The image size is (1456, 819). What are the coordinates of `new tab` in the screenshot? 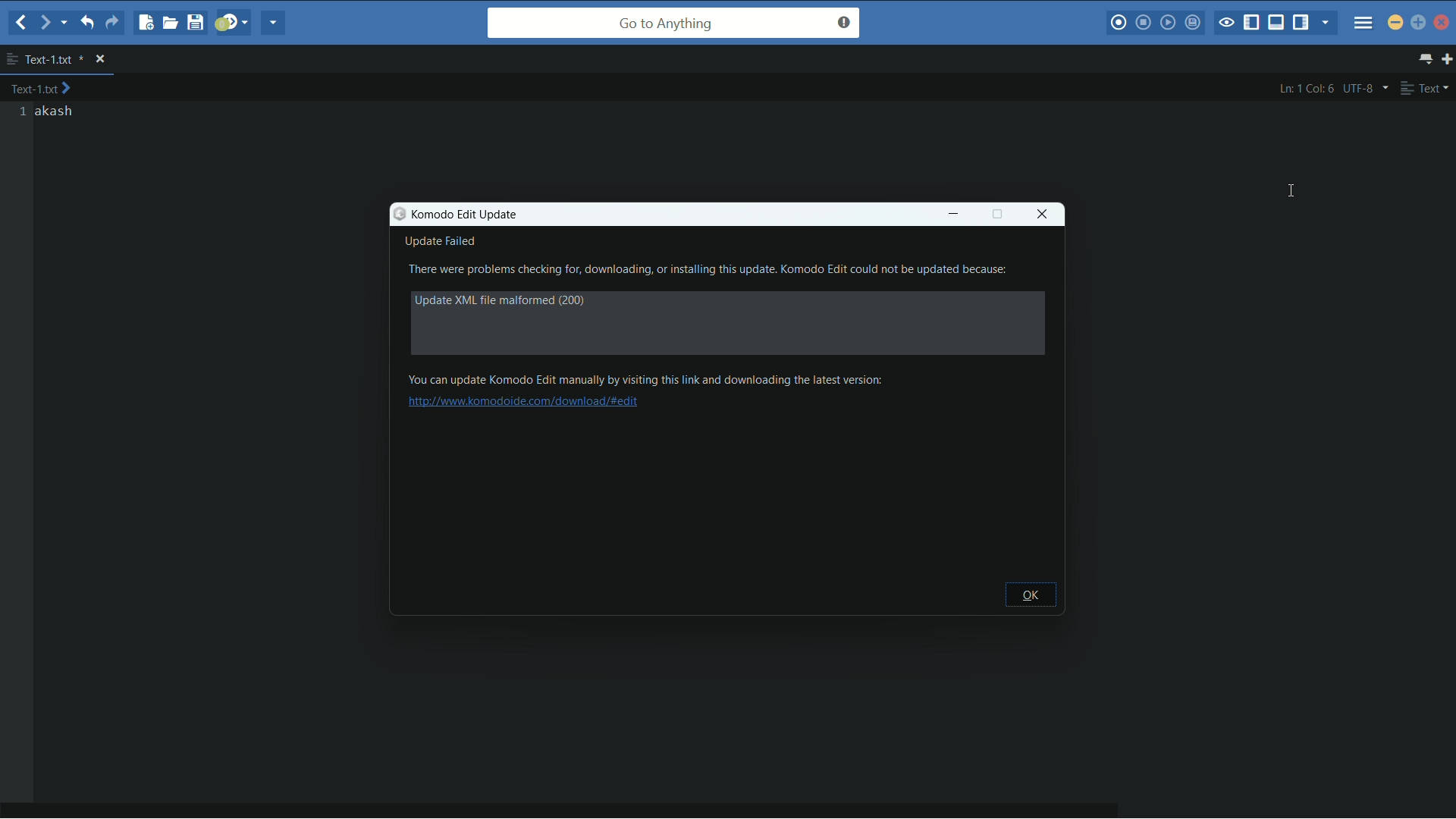 It's located at (1447, 60).